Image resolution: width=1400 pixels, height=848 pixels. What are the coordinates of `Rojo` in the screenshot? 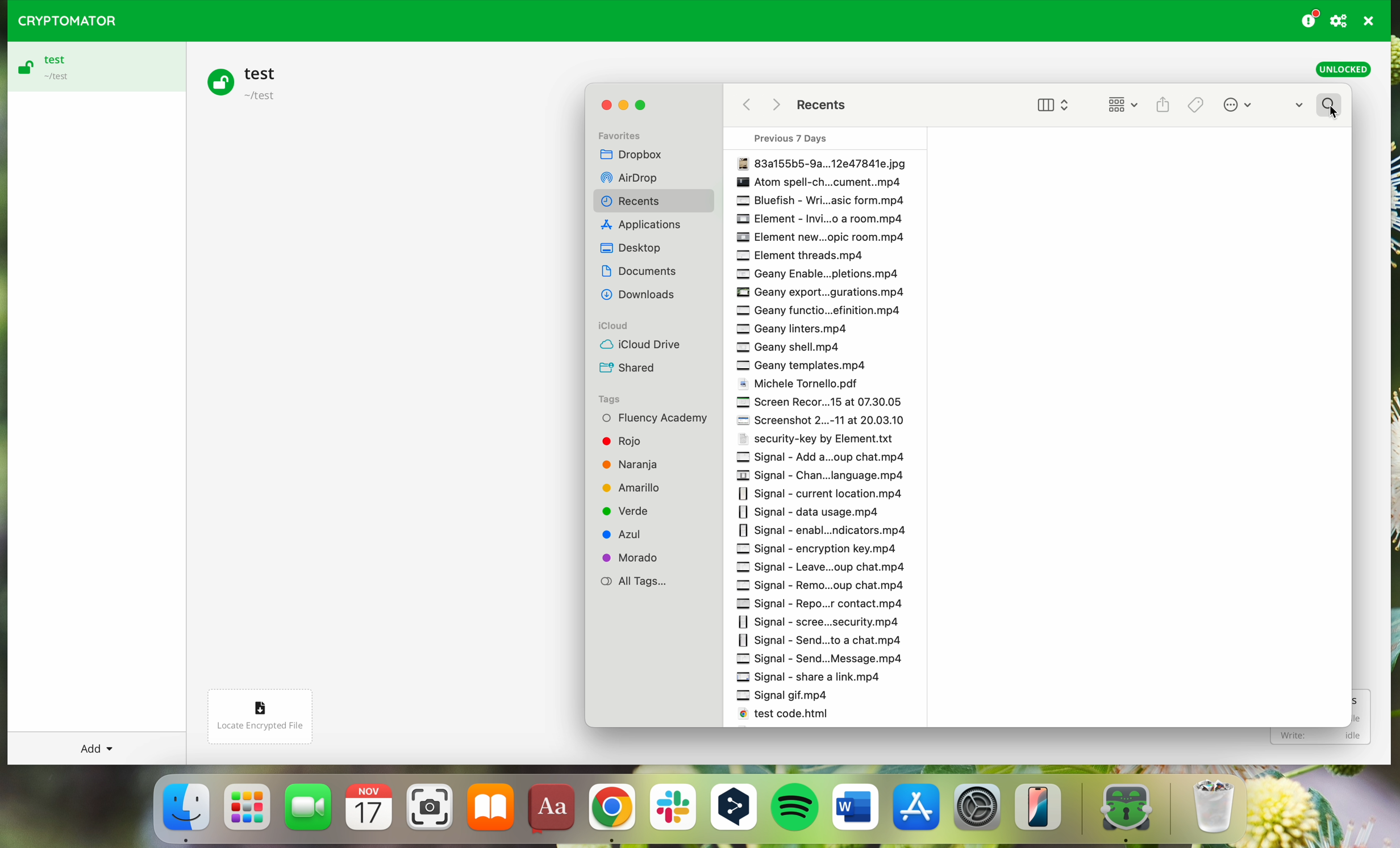 It's located at (624, 439).